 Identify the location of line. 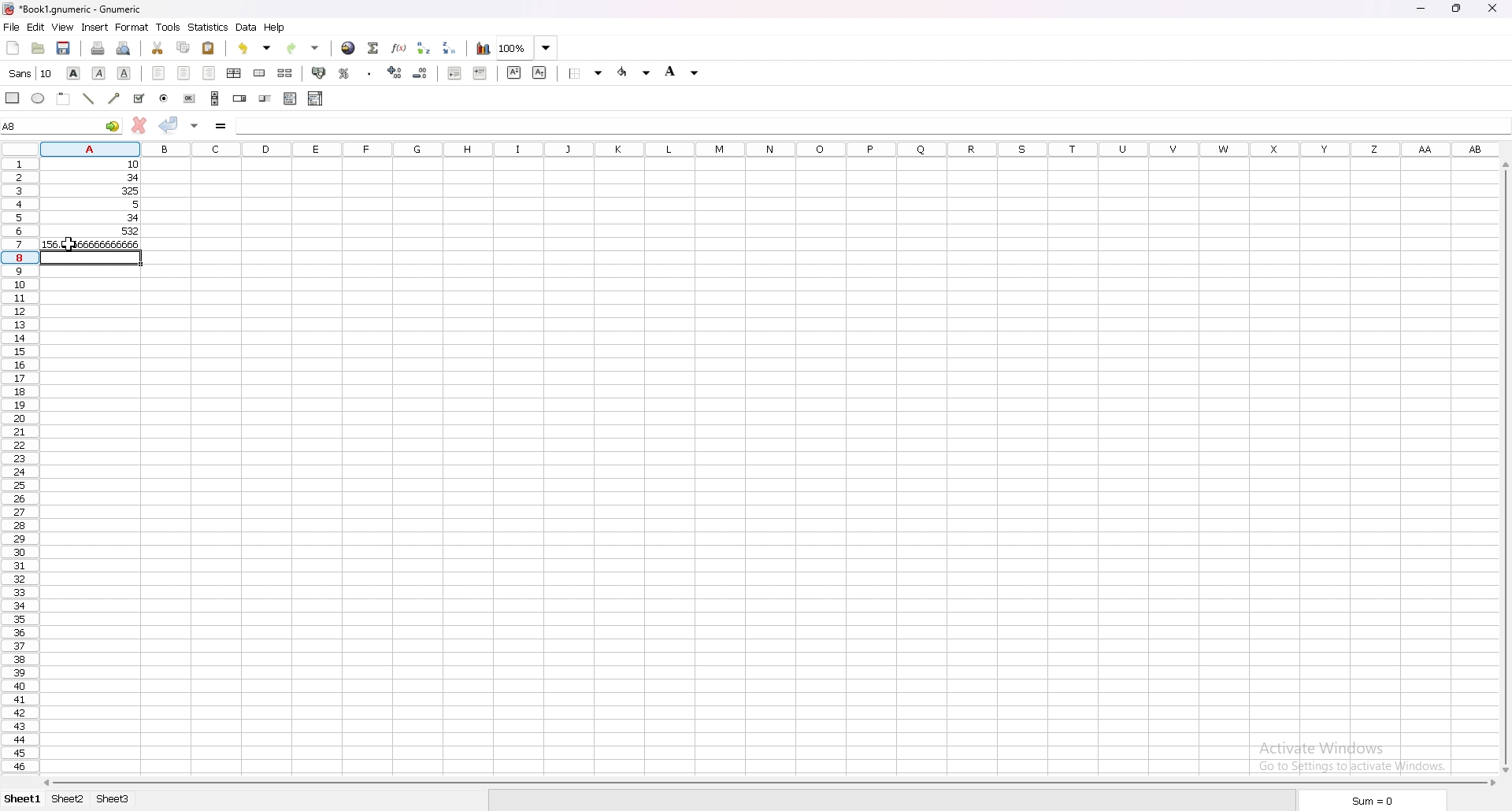
(87, 99).